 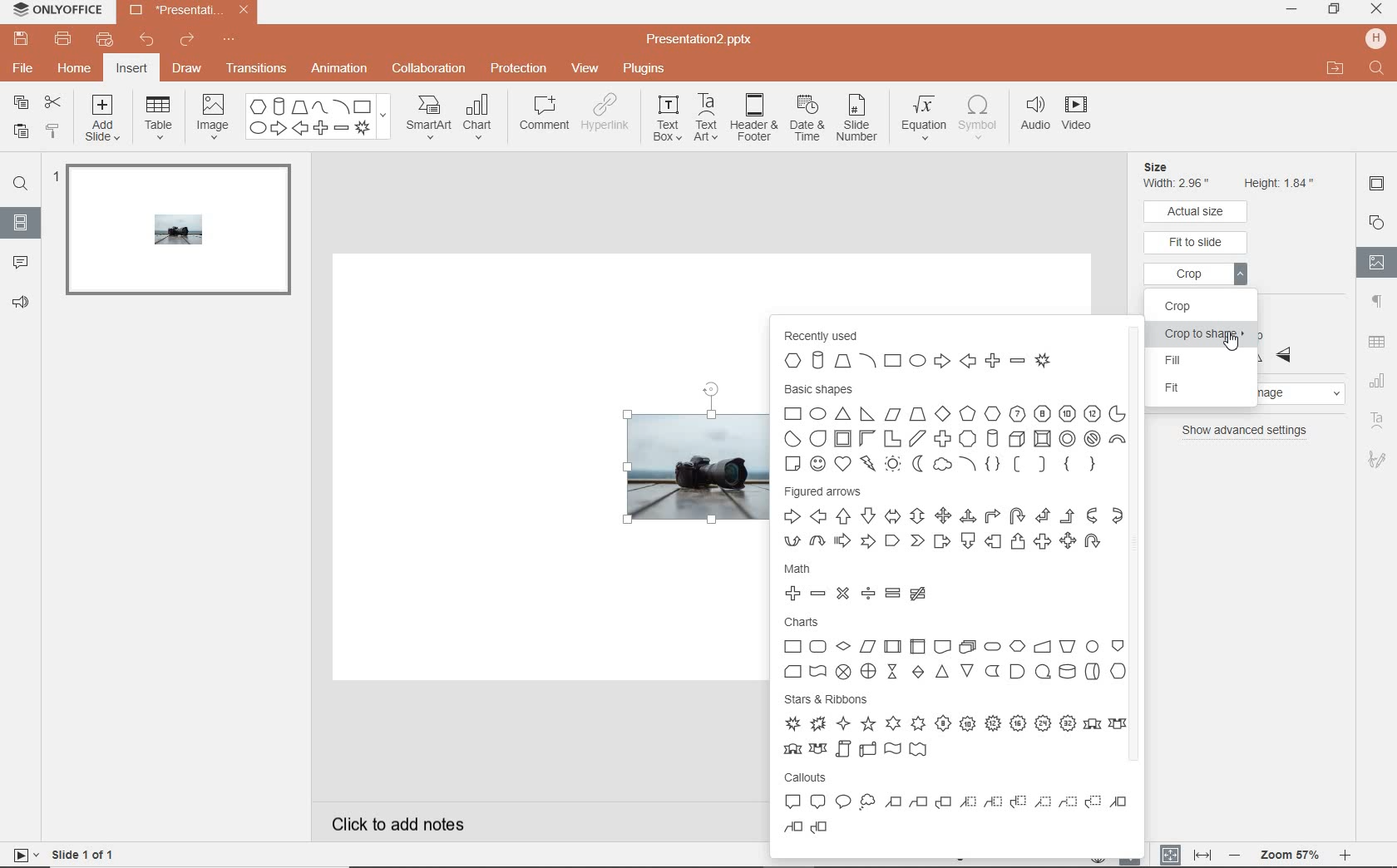 What do you see at coordinates (955, 650) in the screenshot?
I see `charts` at bounding box center [955, 650].